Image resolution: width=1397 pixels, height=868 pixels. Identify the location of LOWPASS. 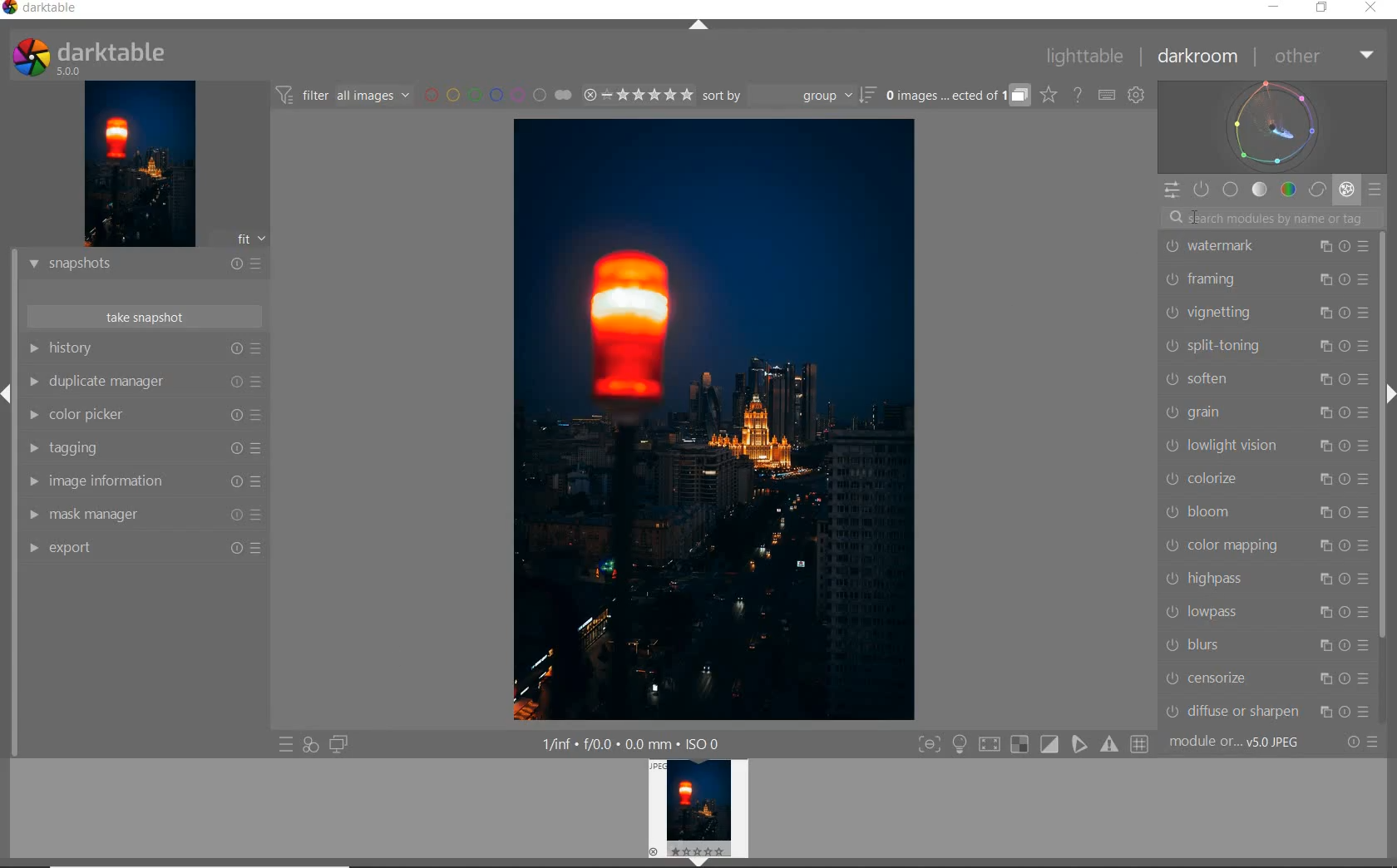
(1223, 611).